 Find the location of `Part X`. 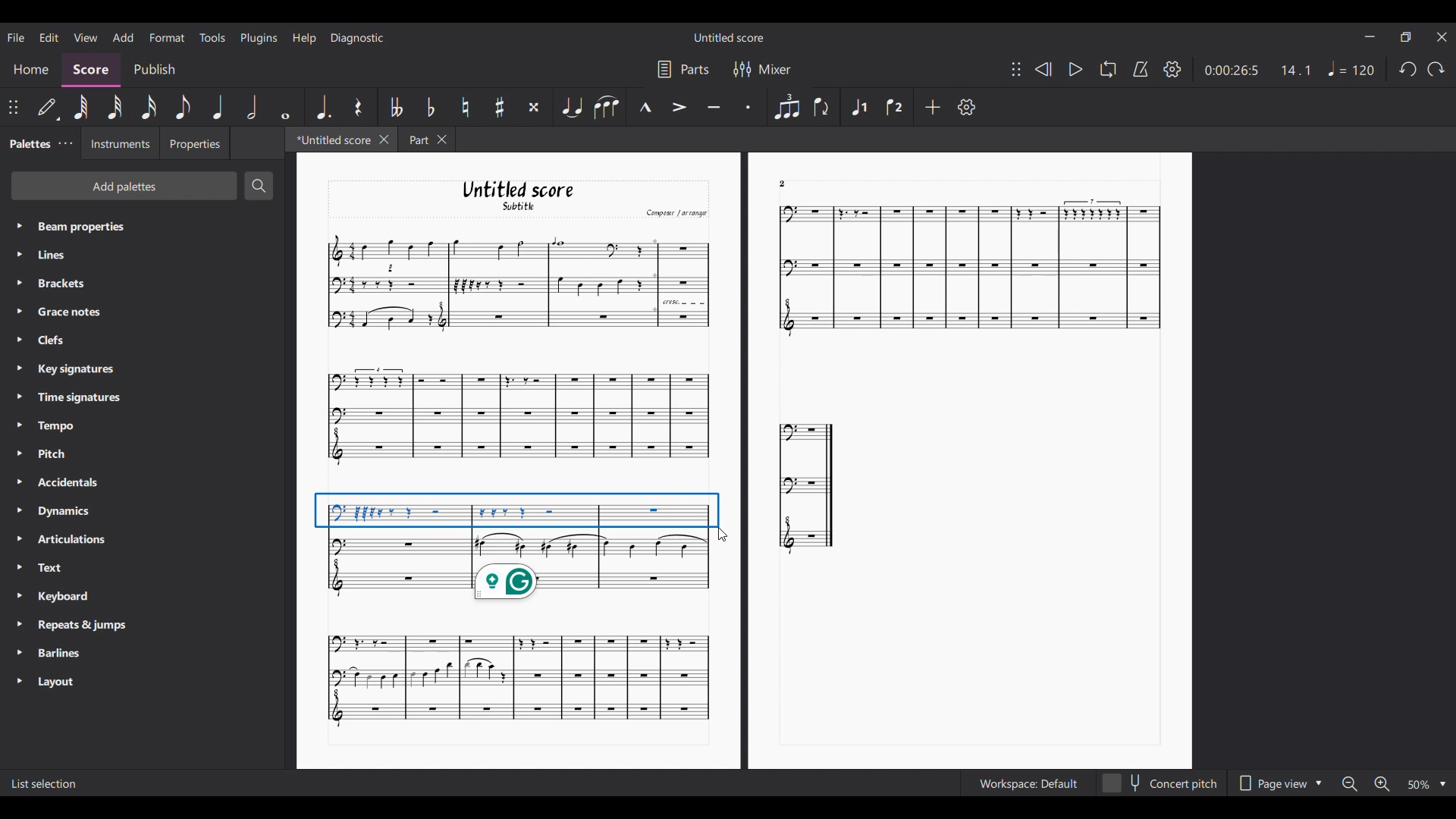

Part X is located at coordinates (426, 140).